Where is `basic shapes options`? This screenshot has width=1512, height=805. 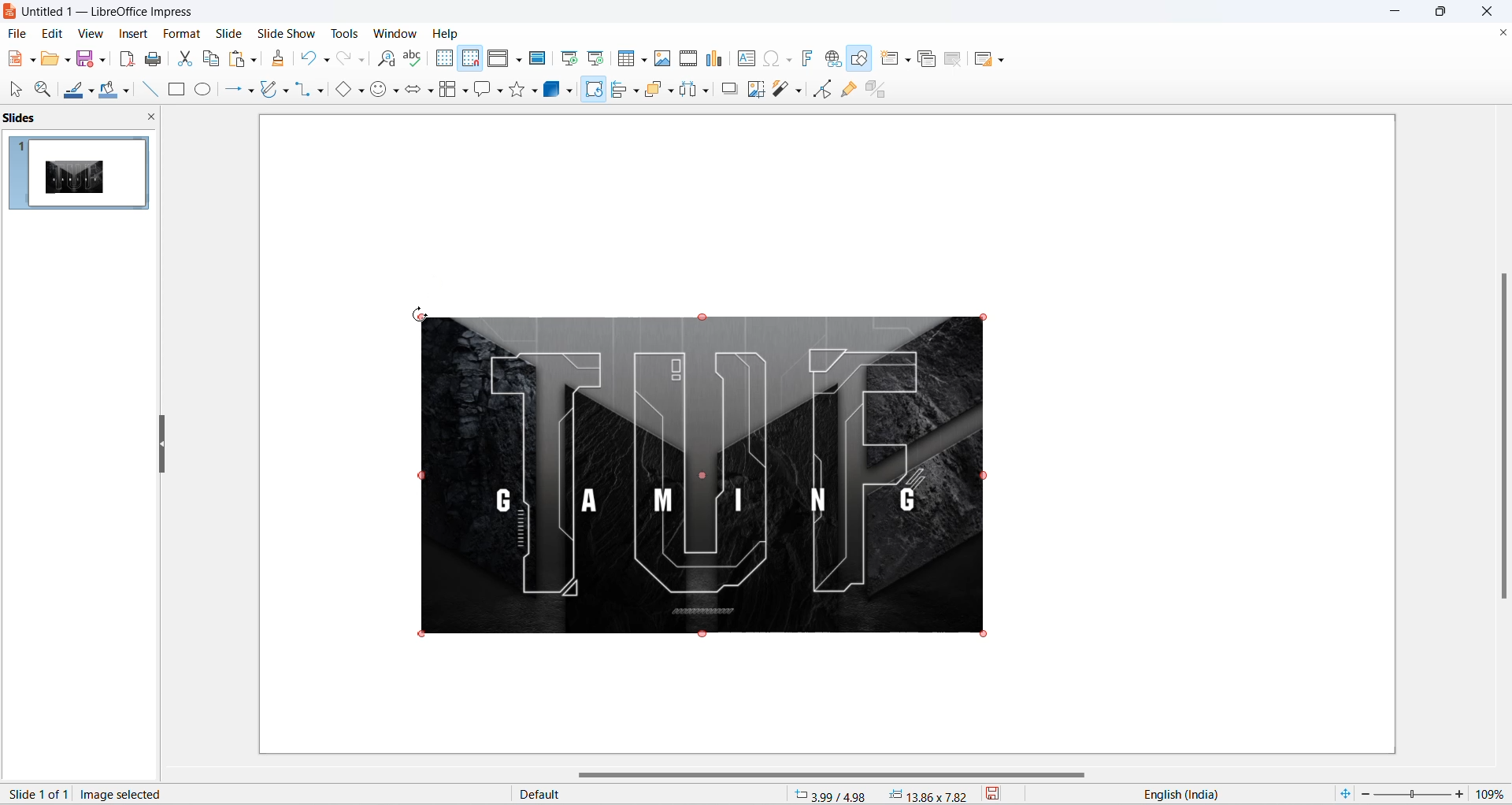
basic shapes options is located at coordinates (360, 90).